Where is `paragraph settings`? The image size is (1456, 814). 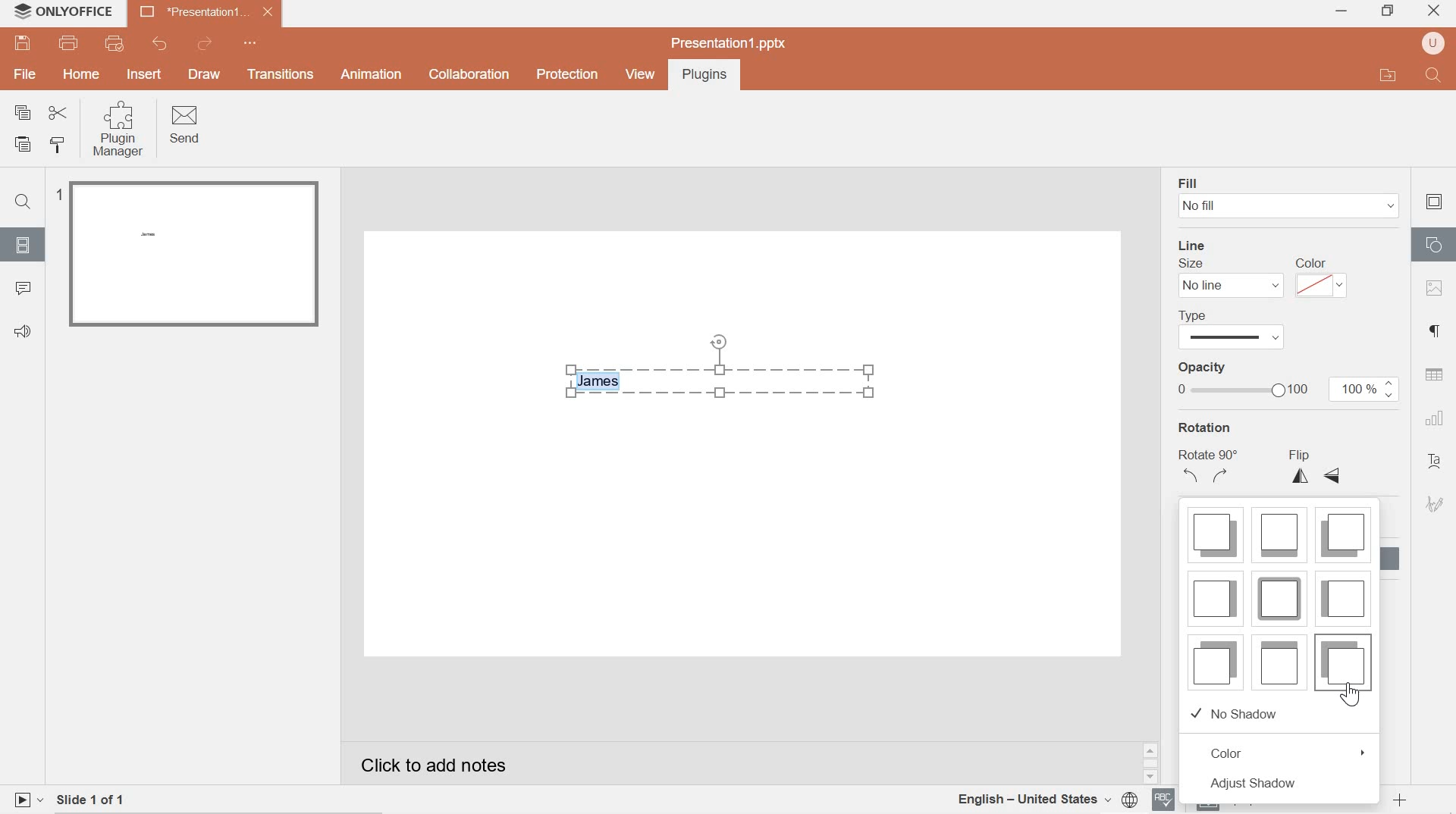
paragraph settings is located at coordinates (1437, 332).